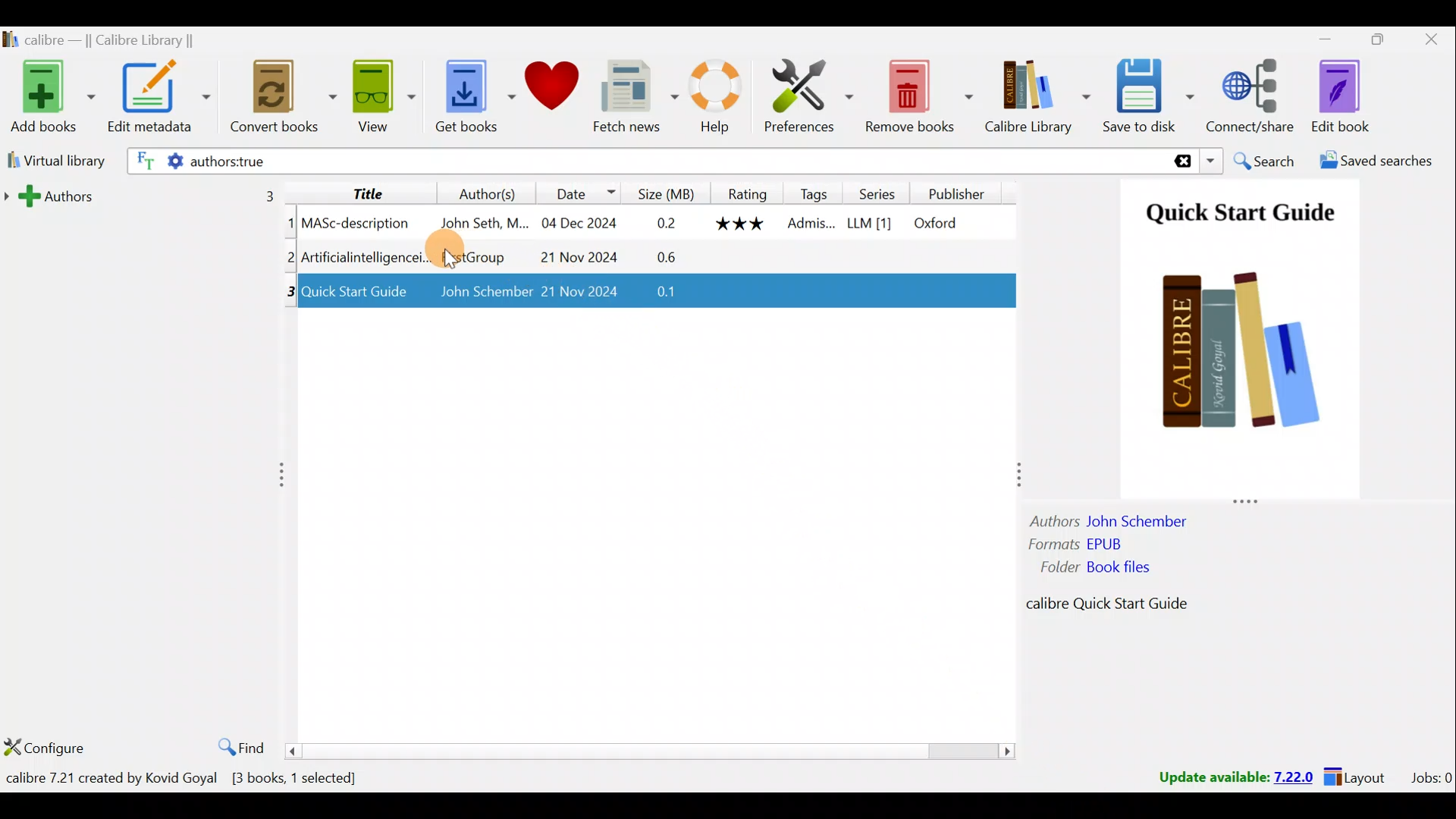 The height and width of the screenshot is (819, 1456). Describe the element at coordinates (706, 99) in the screenshot. I see `Help` at that location.